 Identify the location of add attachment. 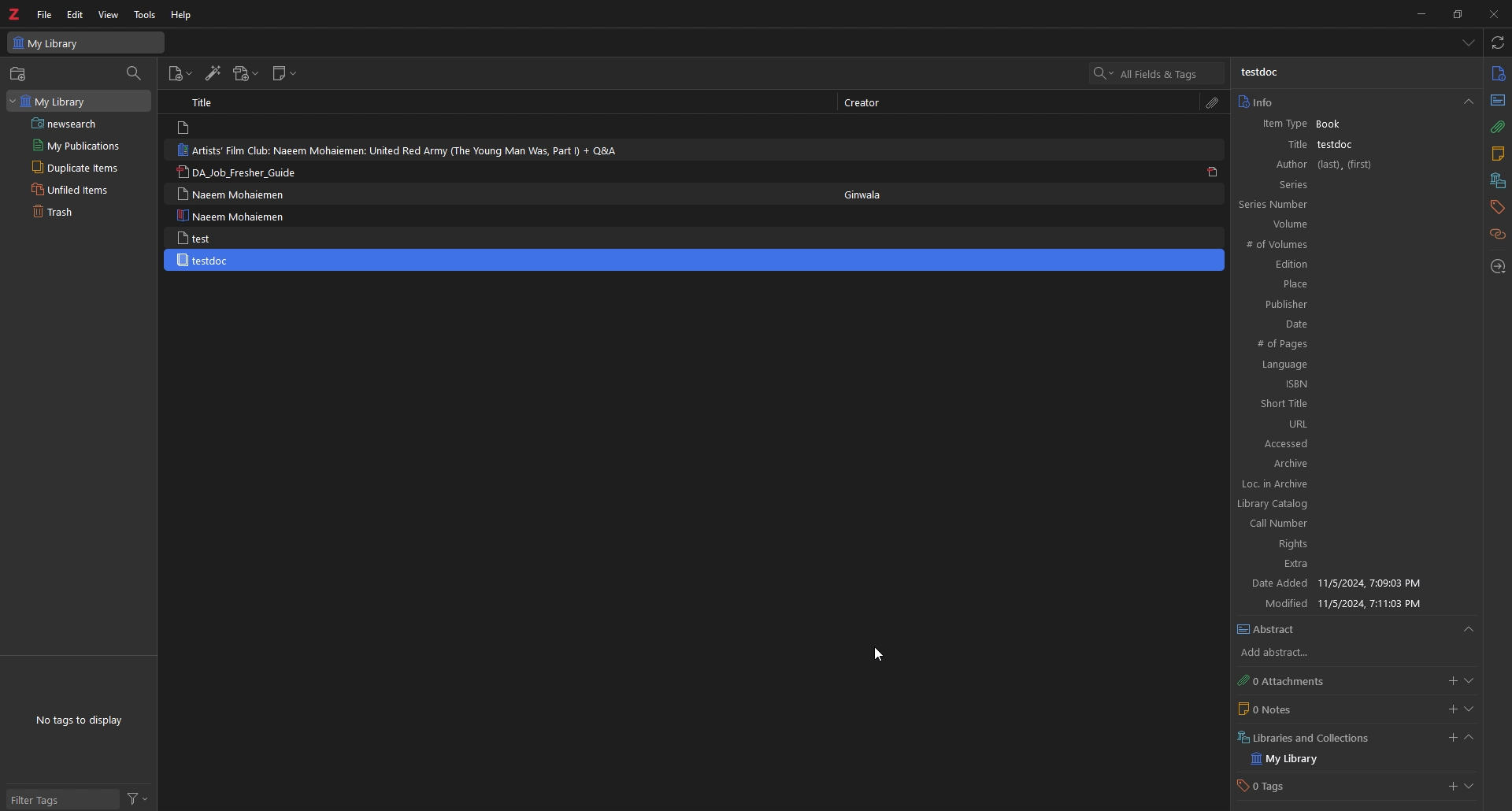
(1450, 681).